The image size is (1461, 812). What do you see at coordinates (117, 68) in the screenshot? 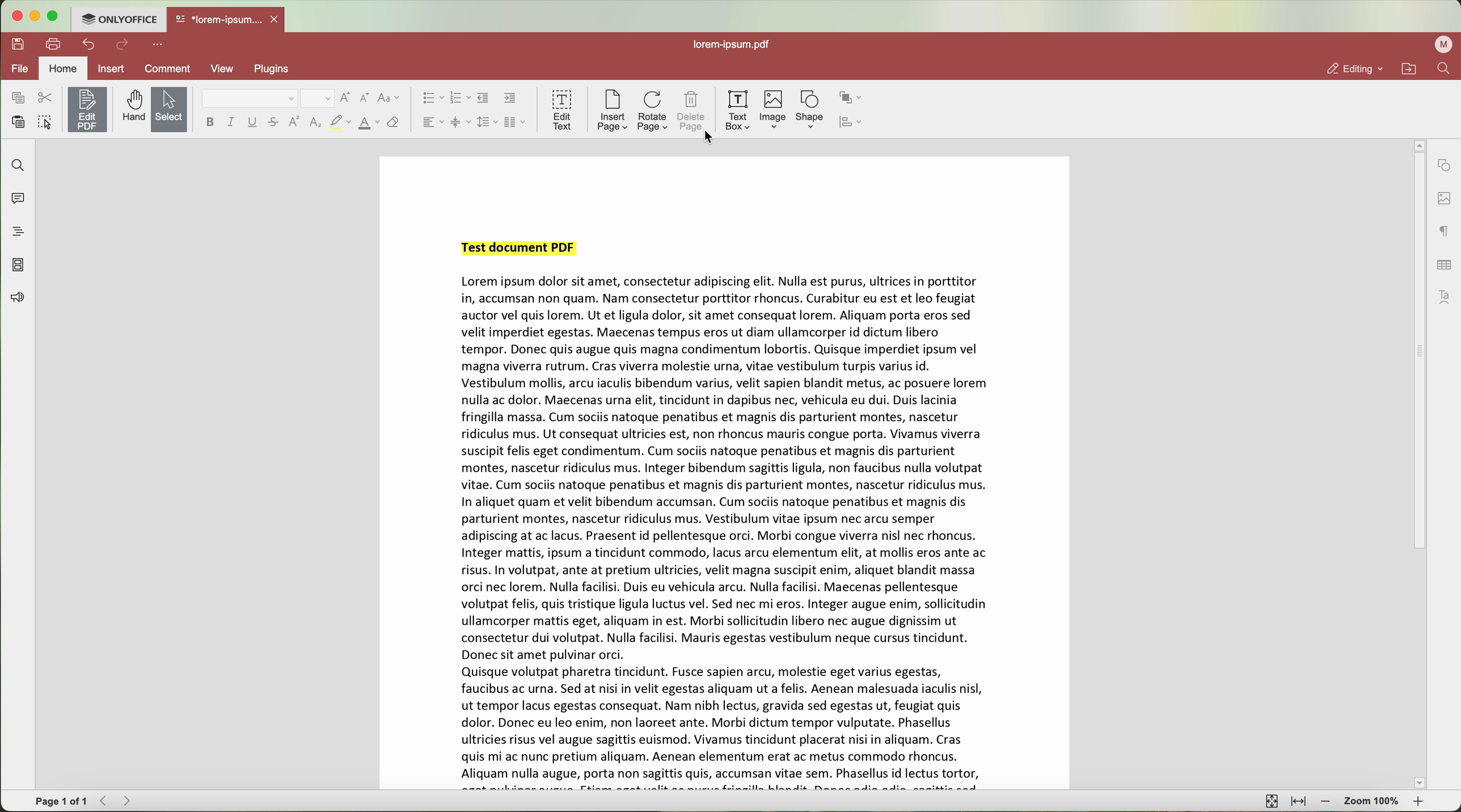
I see `insert` at bounding box center [117, 68].